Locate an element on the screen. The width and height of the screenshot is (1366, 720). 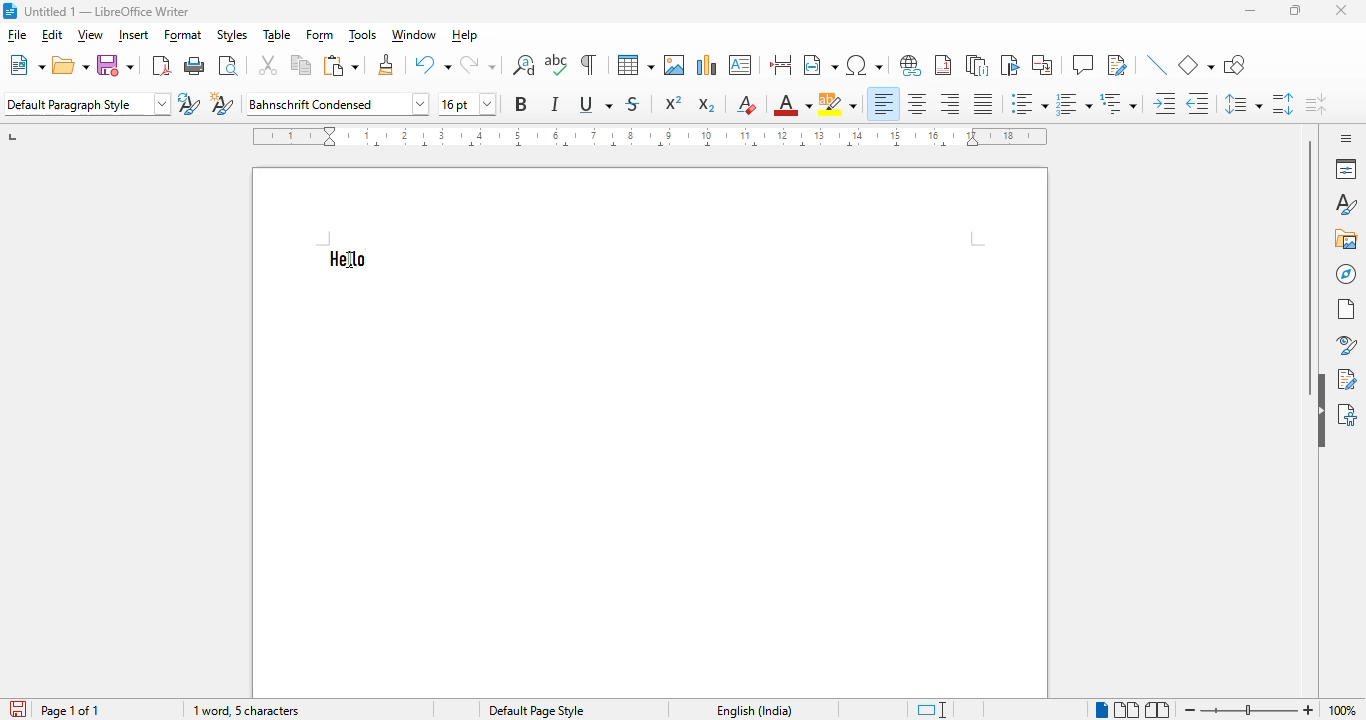
zoom factor is located at coordinates (1343, 710).